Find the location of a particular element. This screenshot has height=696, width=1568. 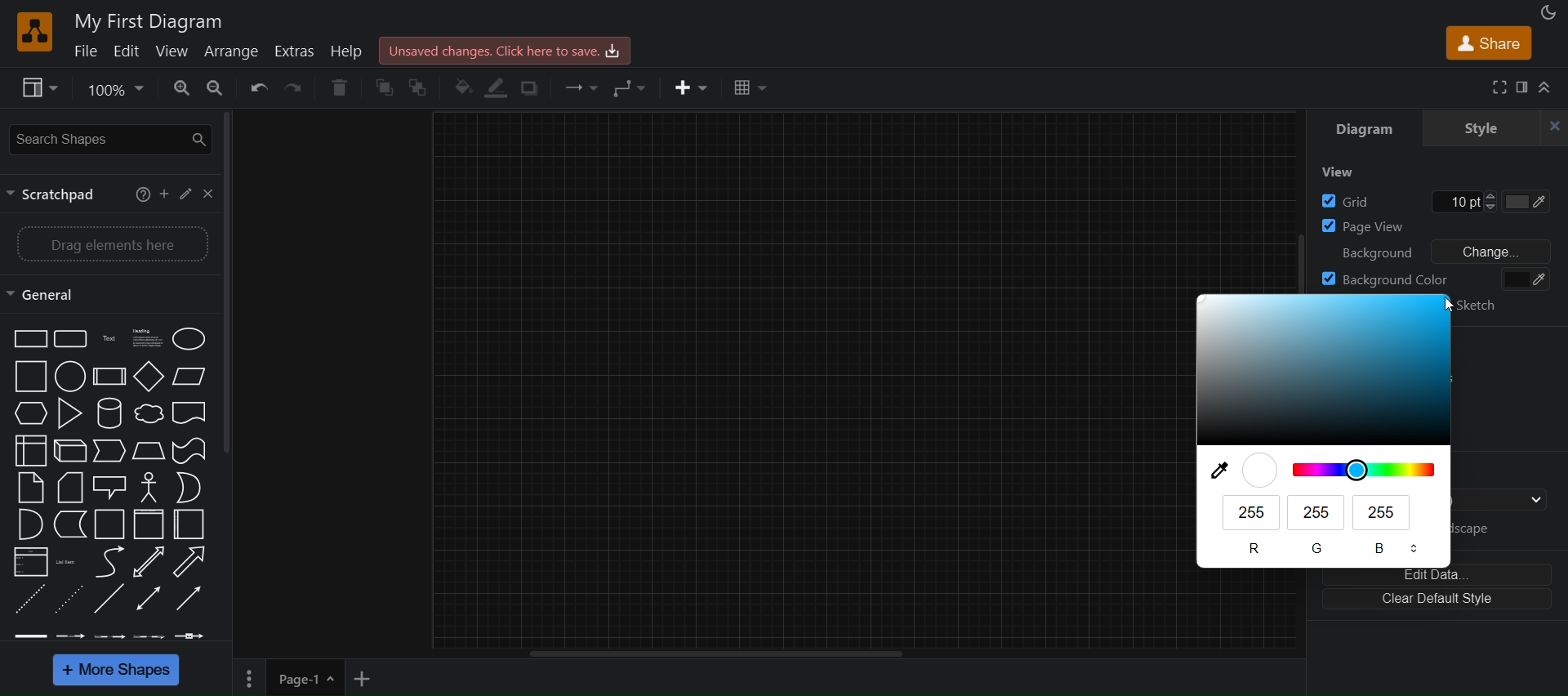

to front  is located at coordinates (385, 87).